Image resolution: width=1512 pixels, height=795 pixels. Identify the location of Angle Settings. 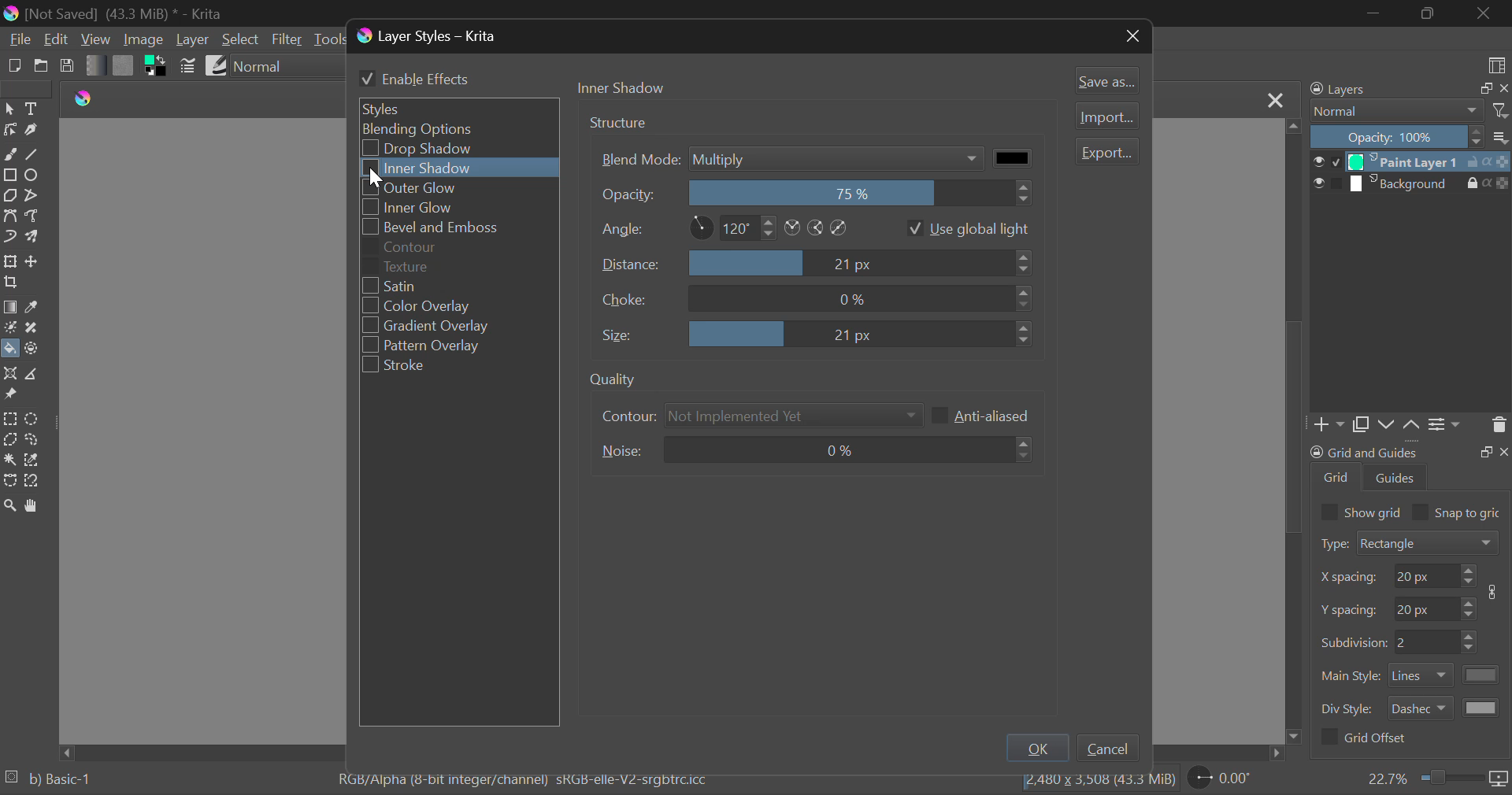
(748, 227).